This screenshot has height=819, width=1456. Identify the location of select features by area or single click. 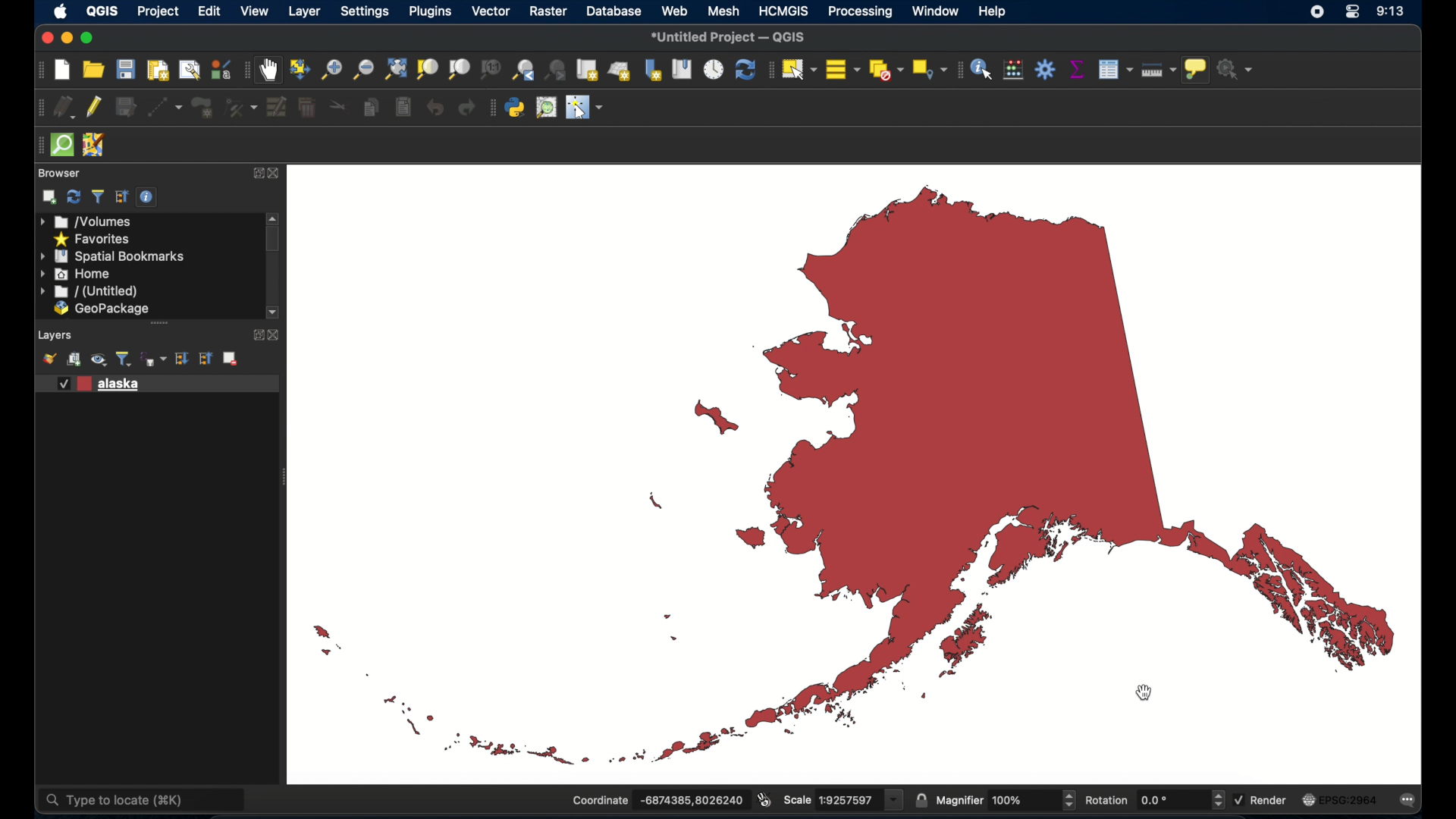
(800, 67).